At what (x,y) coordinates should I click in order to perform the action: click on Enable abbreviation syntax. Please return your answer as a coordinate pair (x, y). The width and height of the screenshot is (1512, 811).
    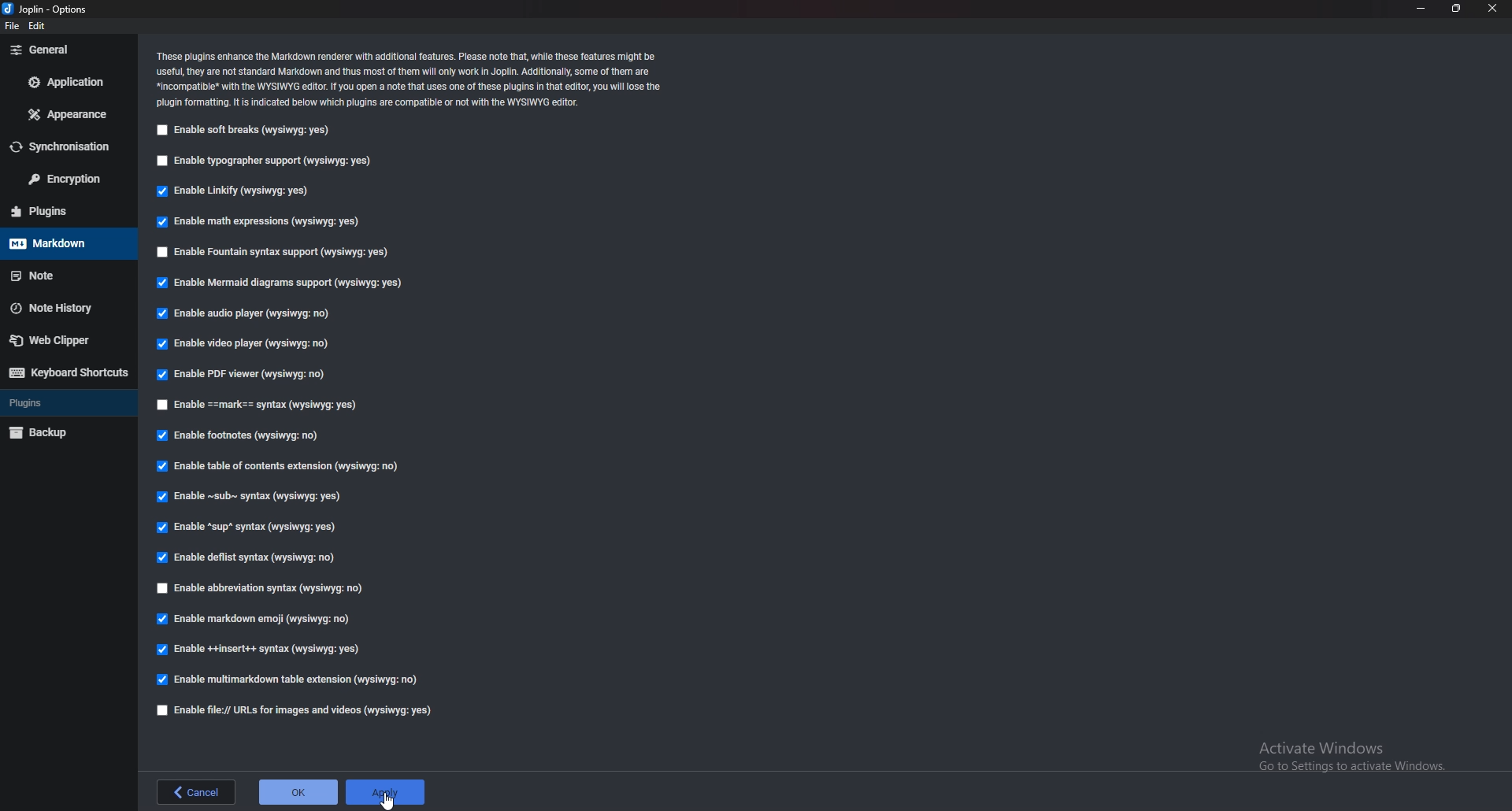
    Looking at the image, I should click on (287, 587).